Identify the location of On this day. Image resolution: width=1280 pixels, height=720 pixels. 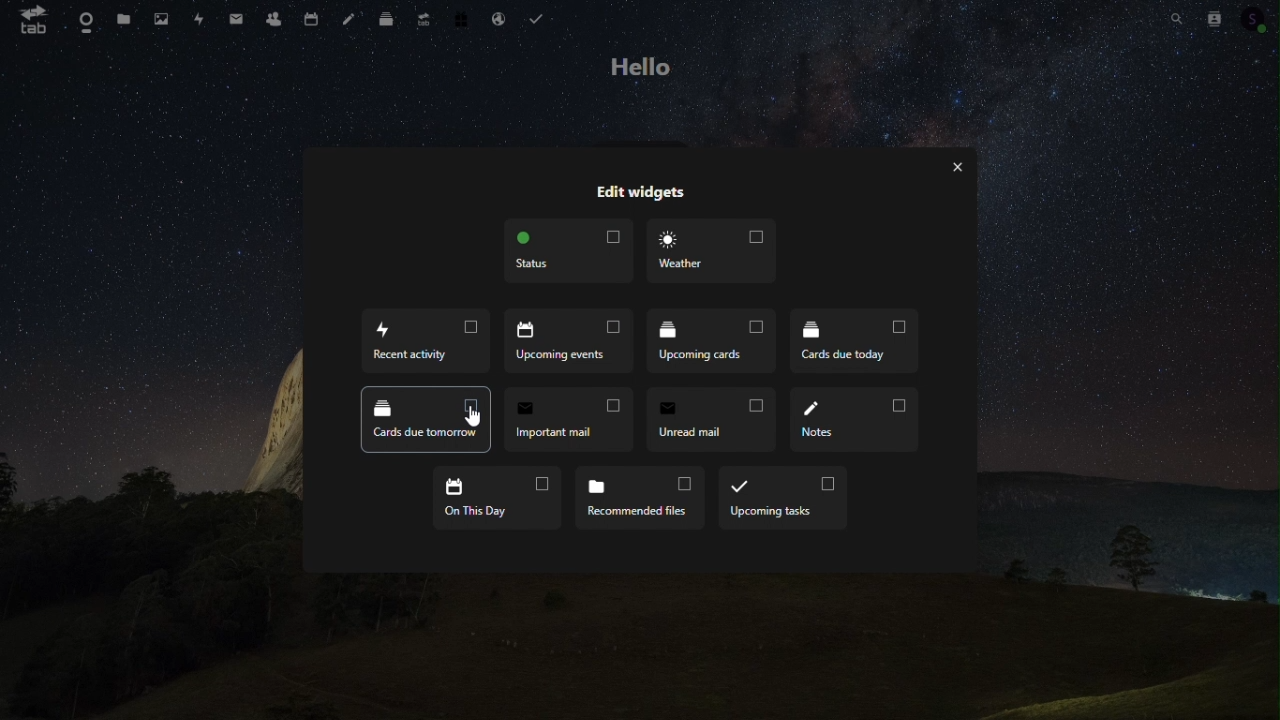
(494, 500).